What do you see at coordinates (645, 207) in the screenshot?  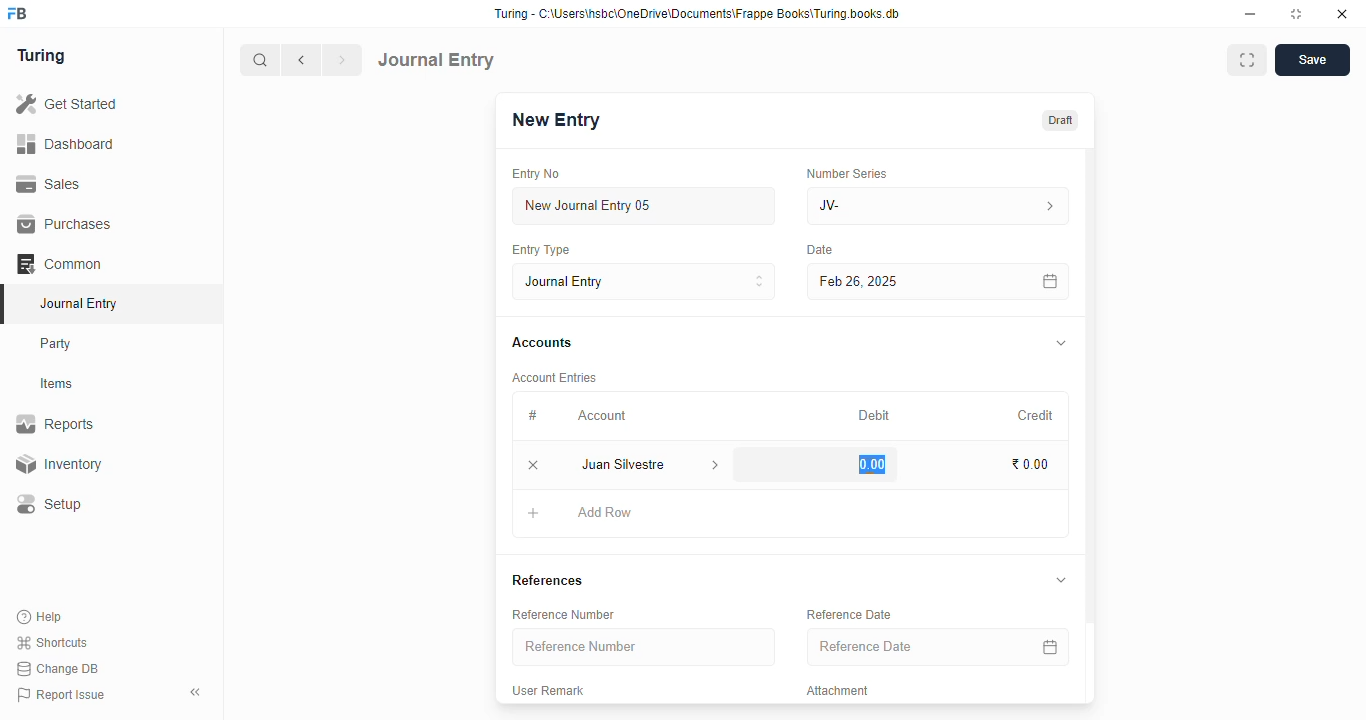 I see `new journal entry 05` at bounding box center [645, 207].